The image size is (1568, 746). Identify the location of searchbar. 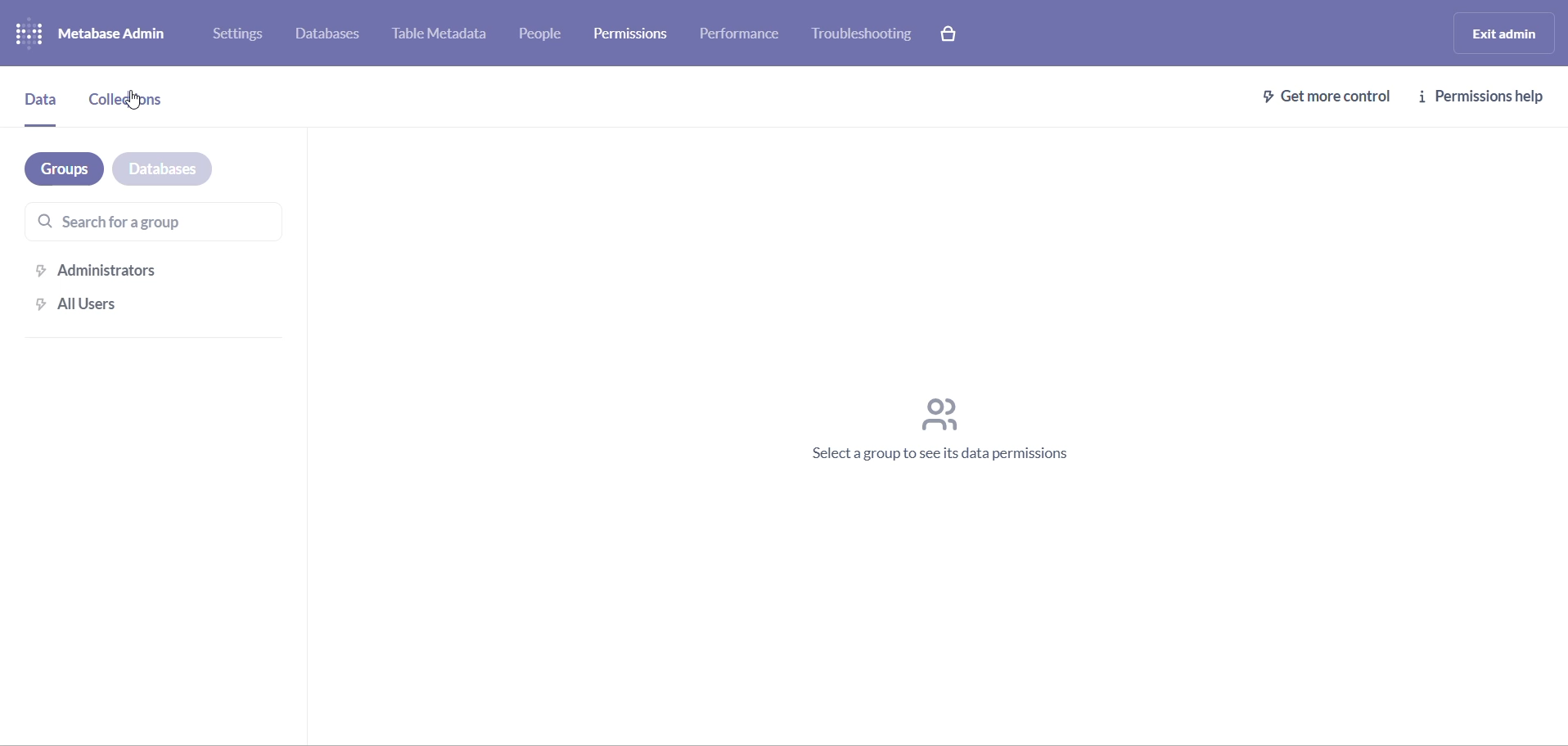
(118, 222).